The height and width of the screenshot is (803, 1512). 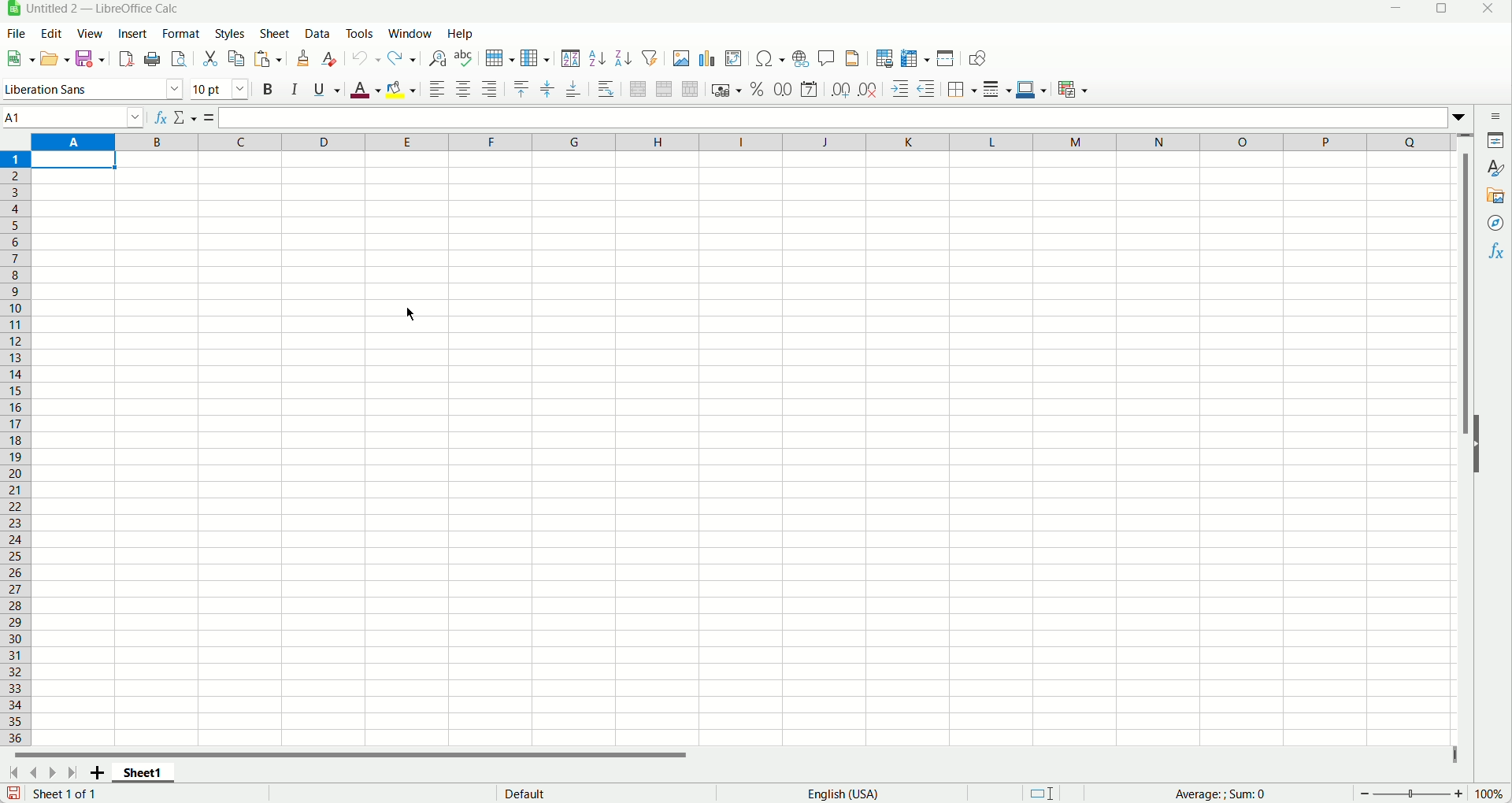 What do you see at coordinates (435, 58) in the screenshot?
I see `Find and replace` at bounding box center [435, 58].